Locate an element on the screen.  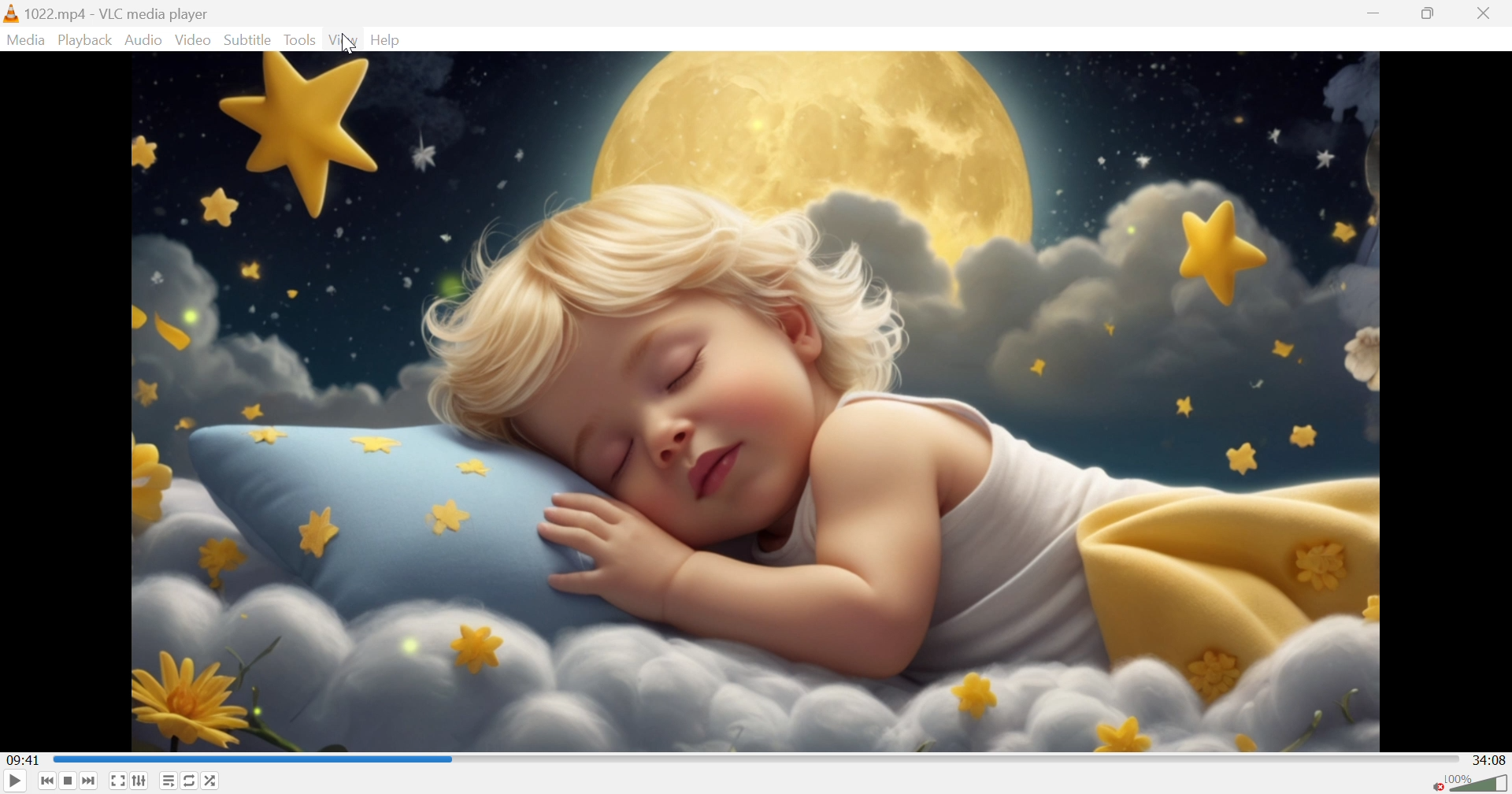
Subtitle is located at coordinates (246, 39).